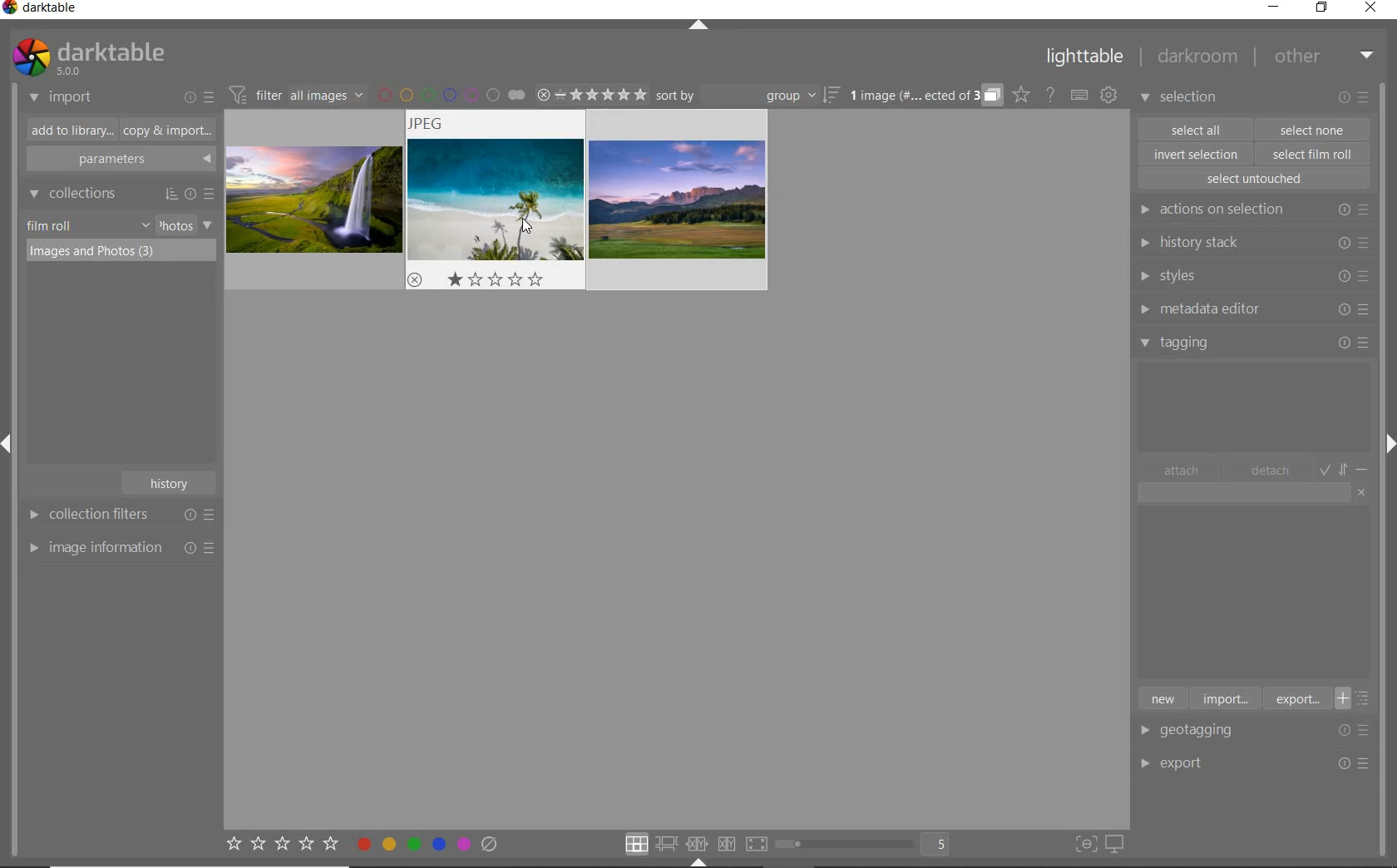 This screenshot has width=1397, height=868. I want to click on filter images based on their module order, so click(294, 93).